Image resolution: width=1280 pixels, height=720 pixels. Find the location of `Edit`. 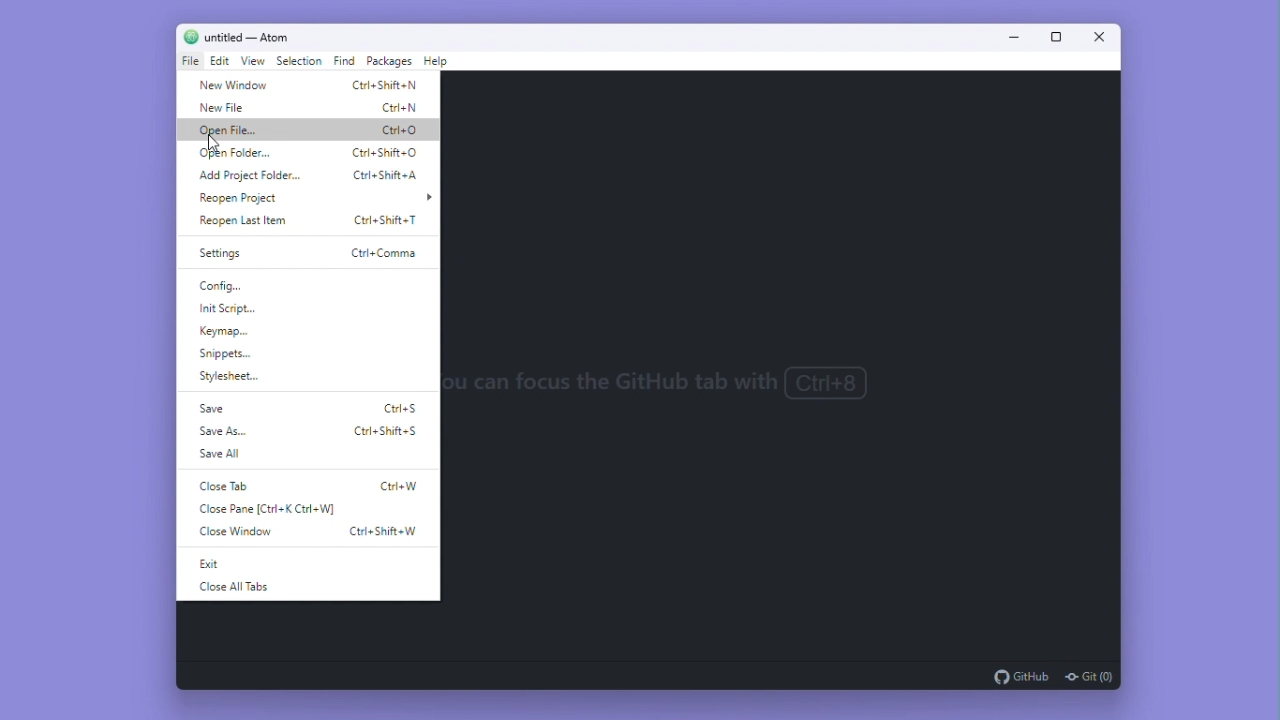

Edit is located at coordinates (221, 62).